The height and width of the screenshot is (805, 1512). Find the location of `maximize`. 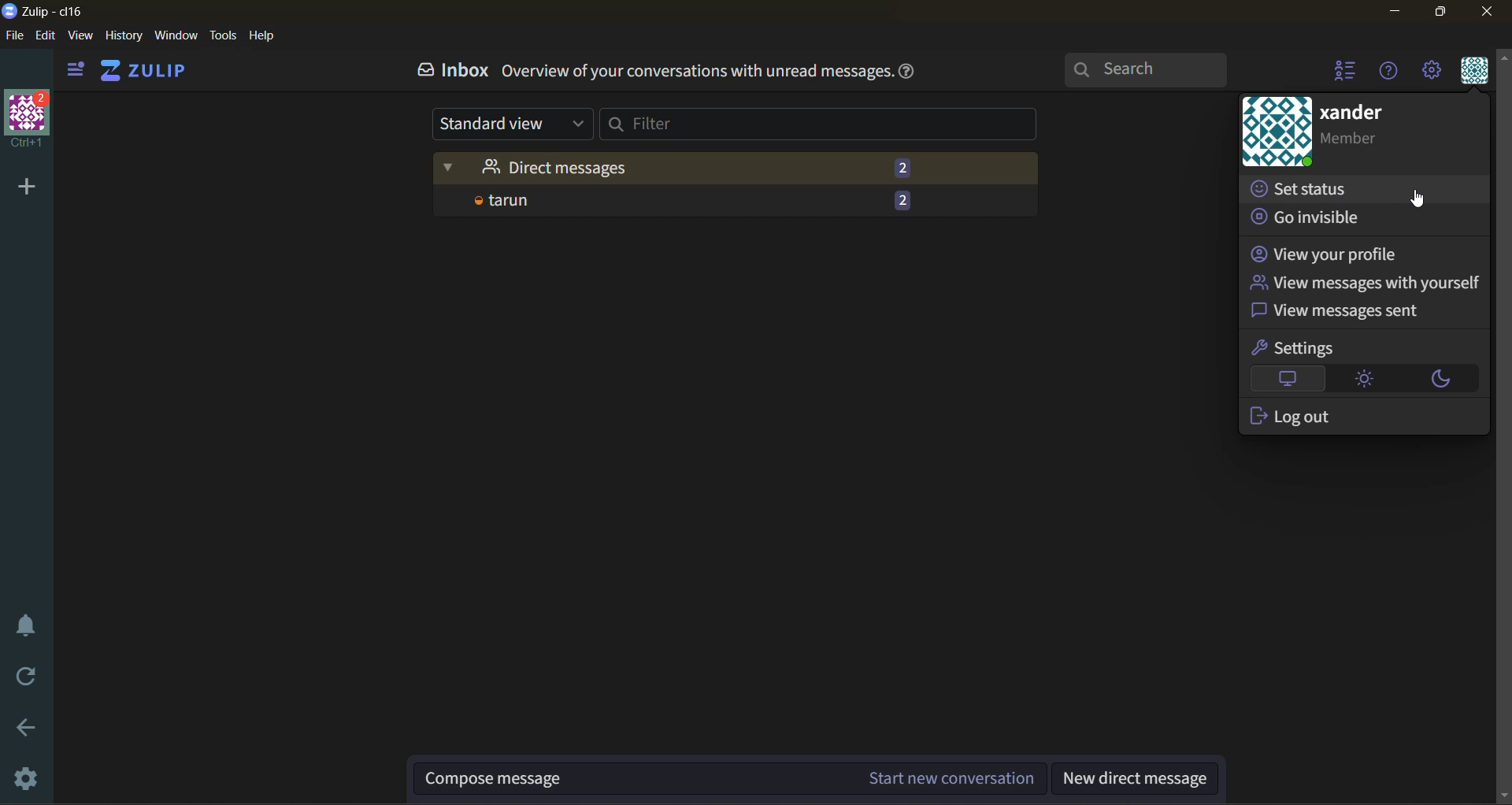

maximize is located at coordinates (1440, 14).